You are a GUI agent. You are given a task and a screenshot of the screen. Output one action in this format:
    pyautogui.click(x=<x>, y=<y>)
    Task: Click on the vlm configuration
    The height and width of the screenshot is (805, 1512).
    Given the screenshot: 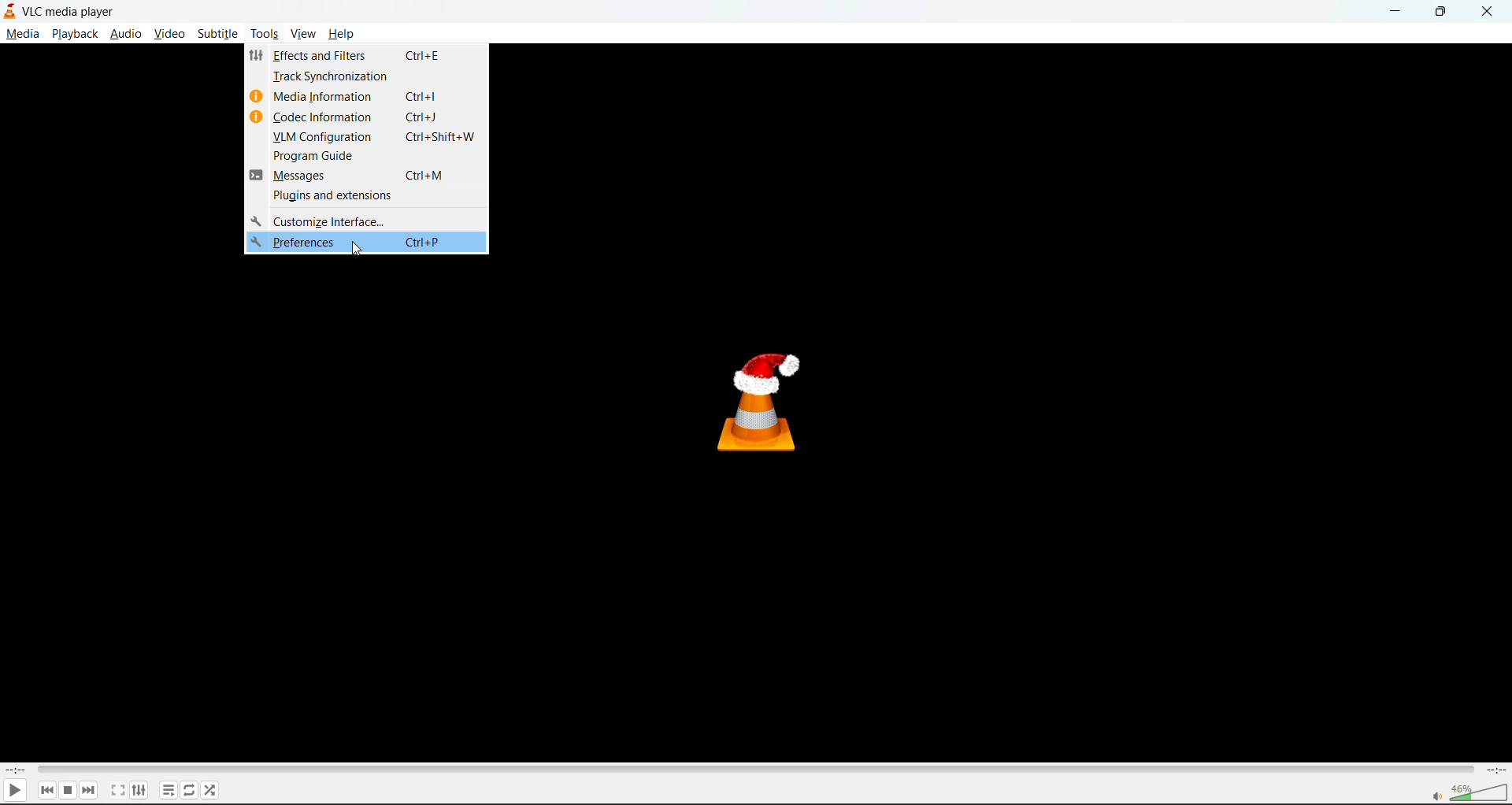 What is the action you would take?
    pyautogui.click(x=324, y=137)
    